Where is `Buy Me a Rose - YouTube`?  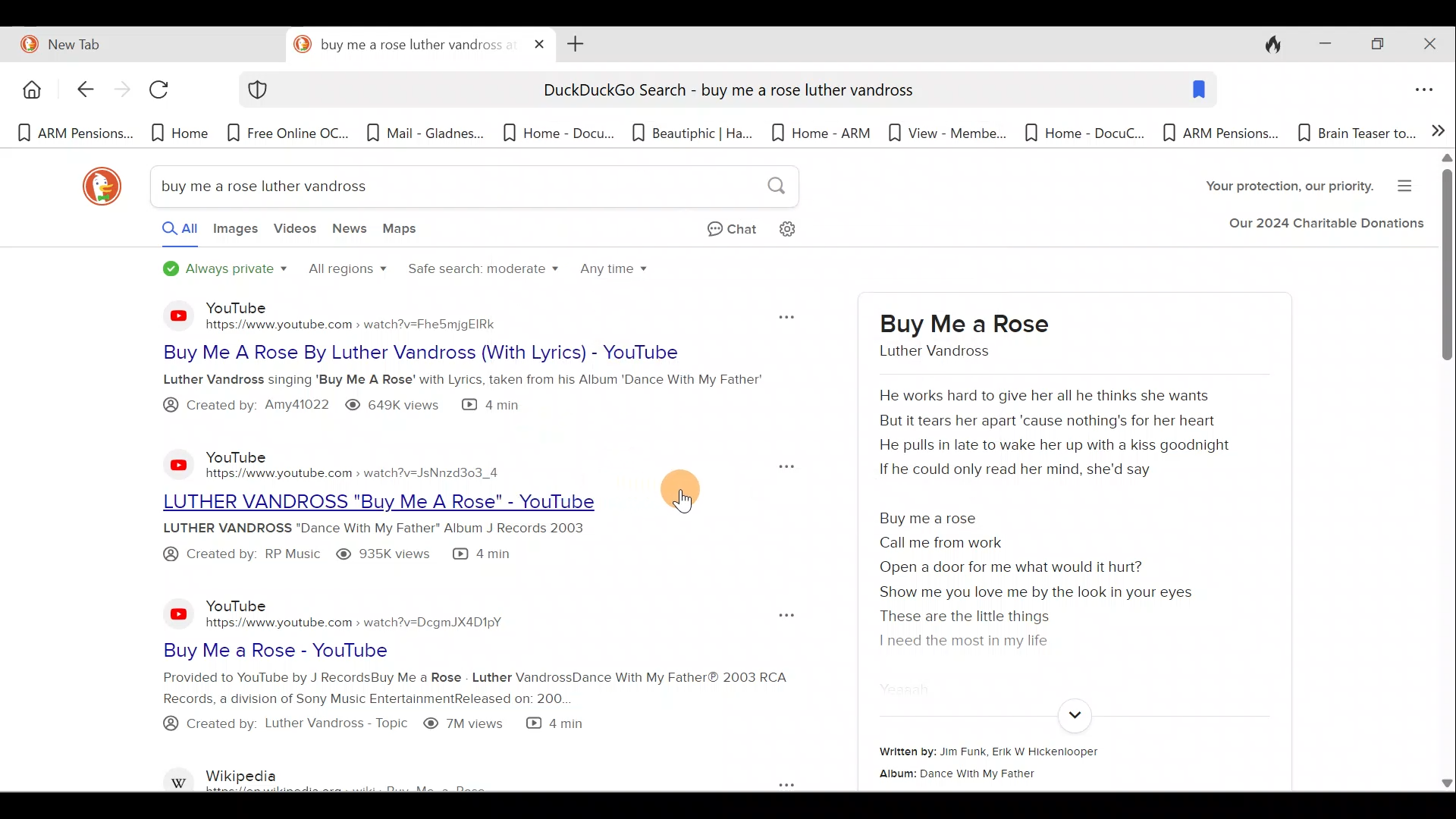 Buy Me a Rose - YouTube is located at coordinates (397, 650).